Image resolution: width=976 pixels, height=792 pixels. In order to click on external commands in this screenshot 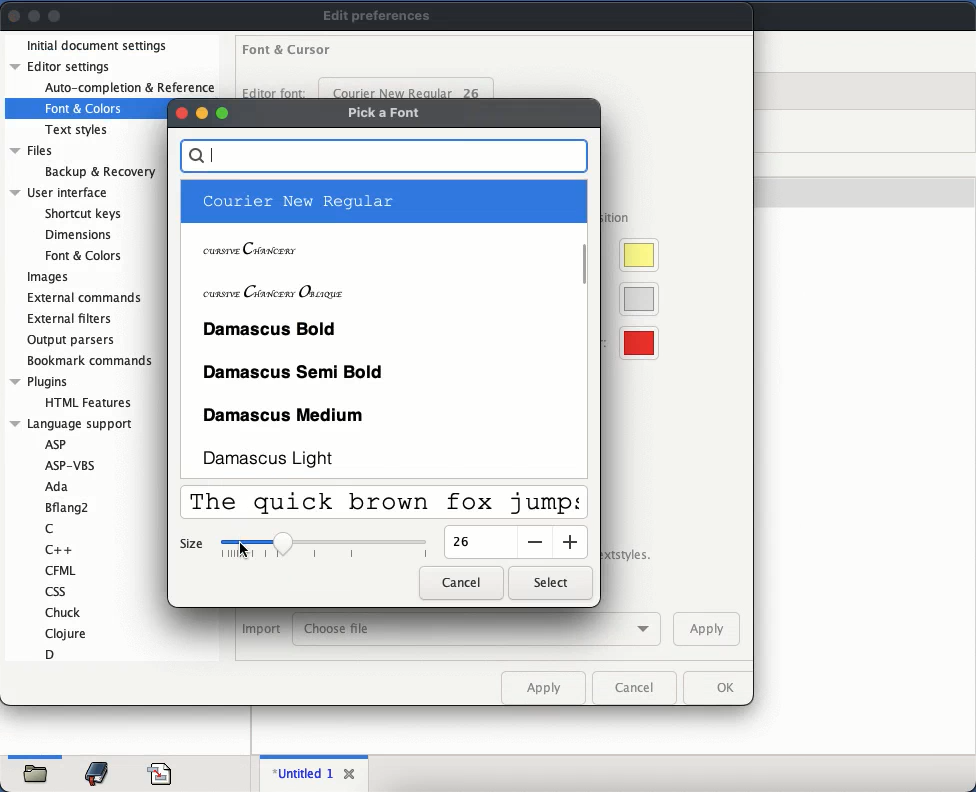, I will do `click(88, 298)`.